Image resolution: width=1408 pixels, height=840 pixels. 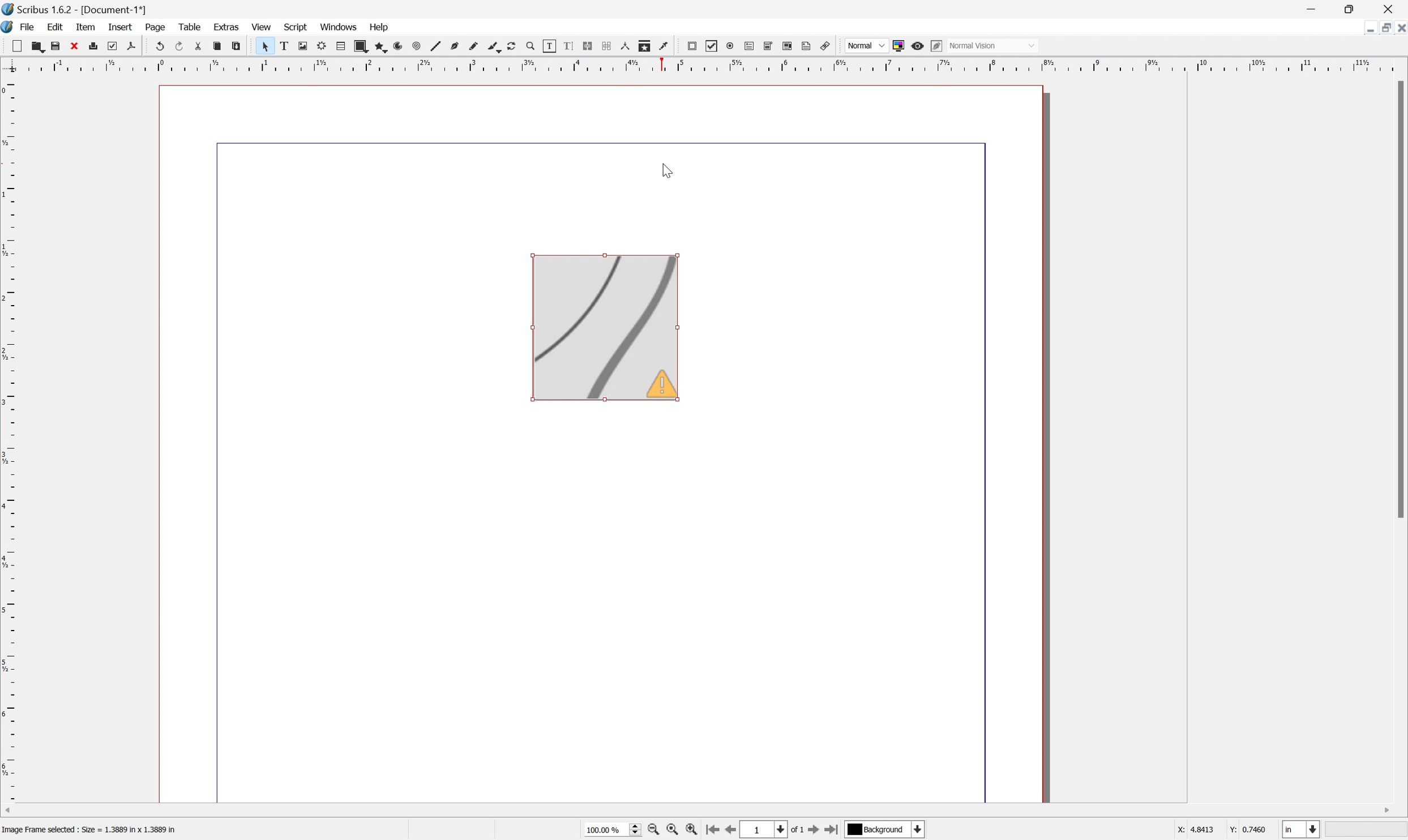 What do you see at coordinates (1353, 10) in the screenshot?
I see `Restore down` at bounding box center [1353, 10].